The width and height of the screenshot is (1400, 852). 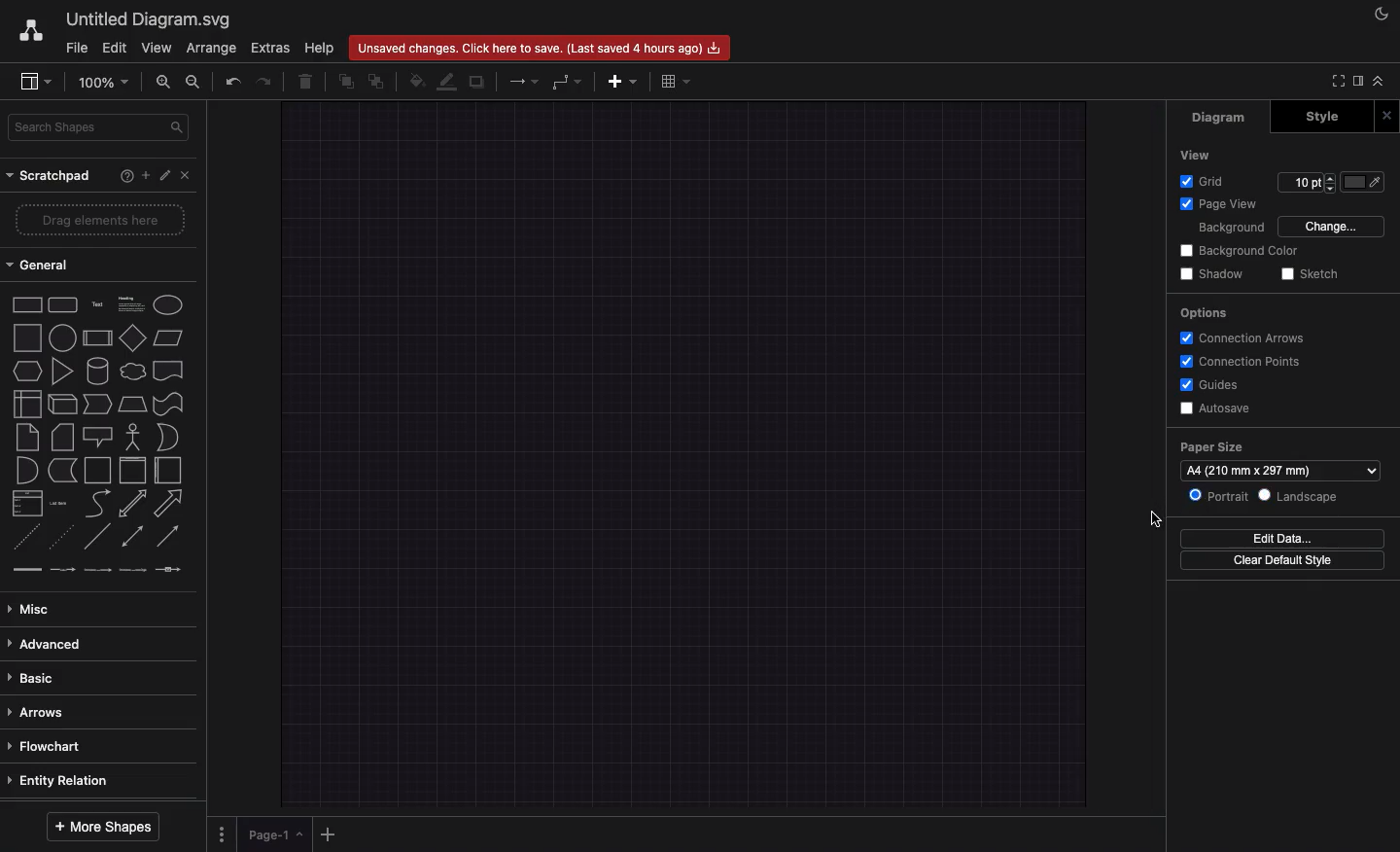 What do you see at coordinates (1341, 81) in the screenshot?
I see `Full screen` at bounding box center [1341, 81].